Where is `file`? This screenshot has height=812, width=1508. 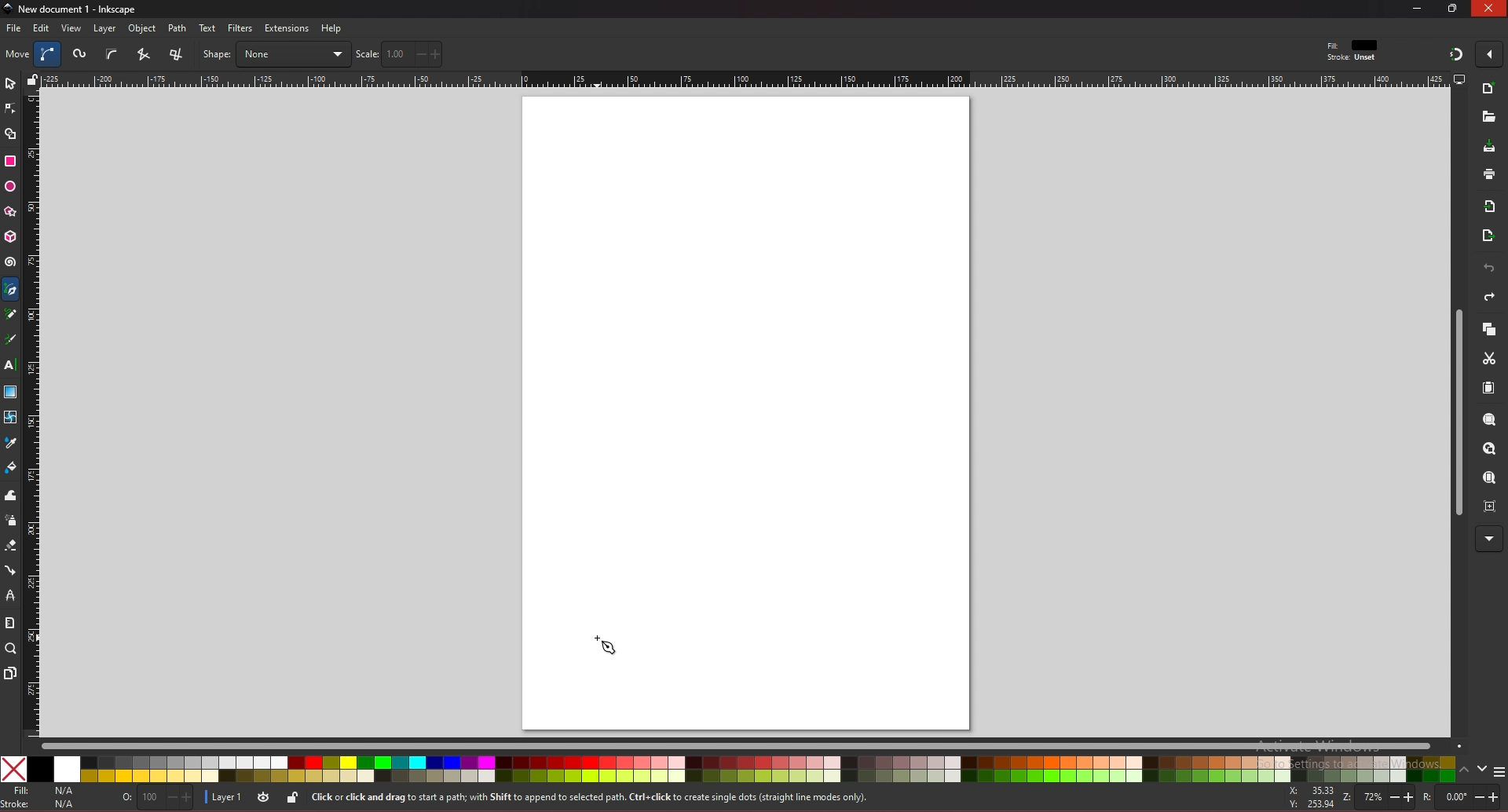 file is located at coordinates (13, 28).